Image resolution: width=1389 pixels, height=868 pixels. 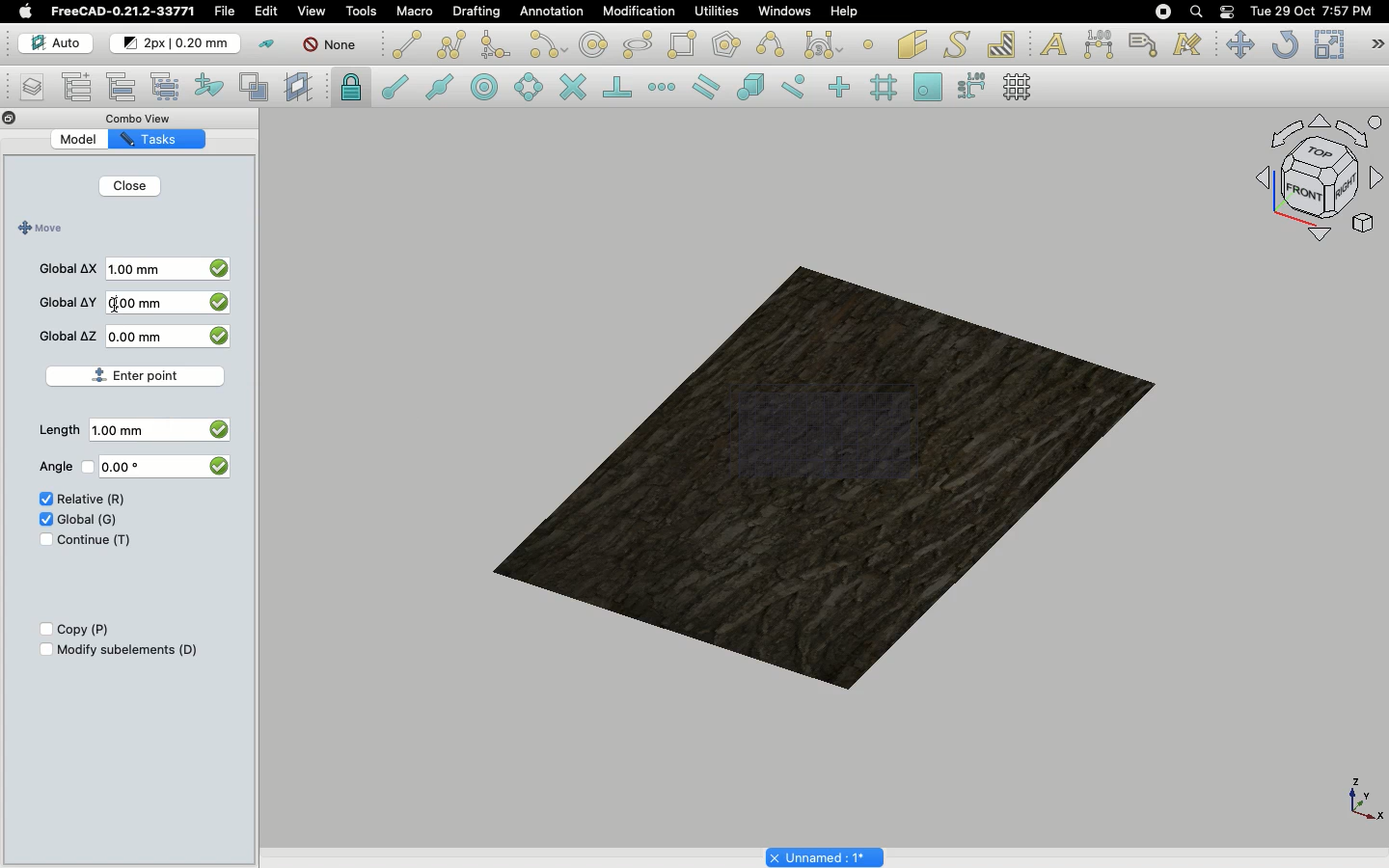 I want to click on Snap dimensions, so click(x=972, y=87).